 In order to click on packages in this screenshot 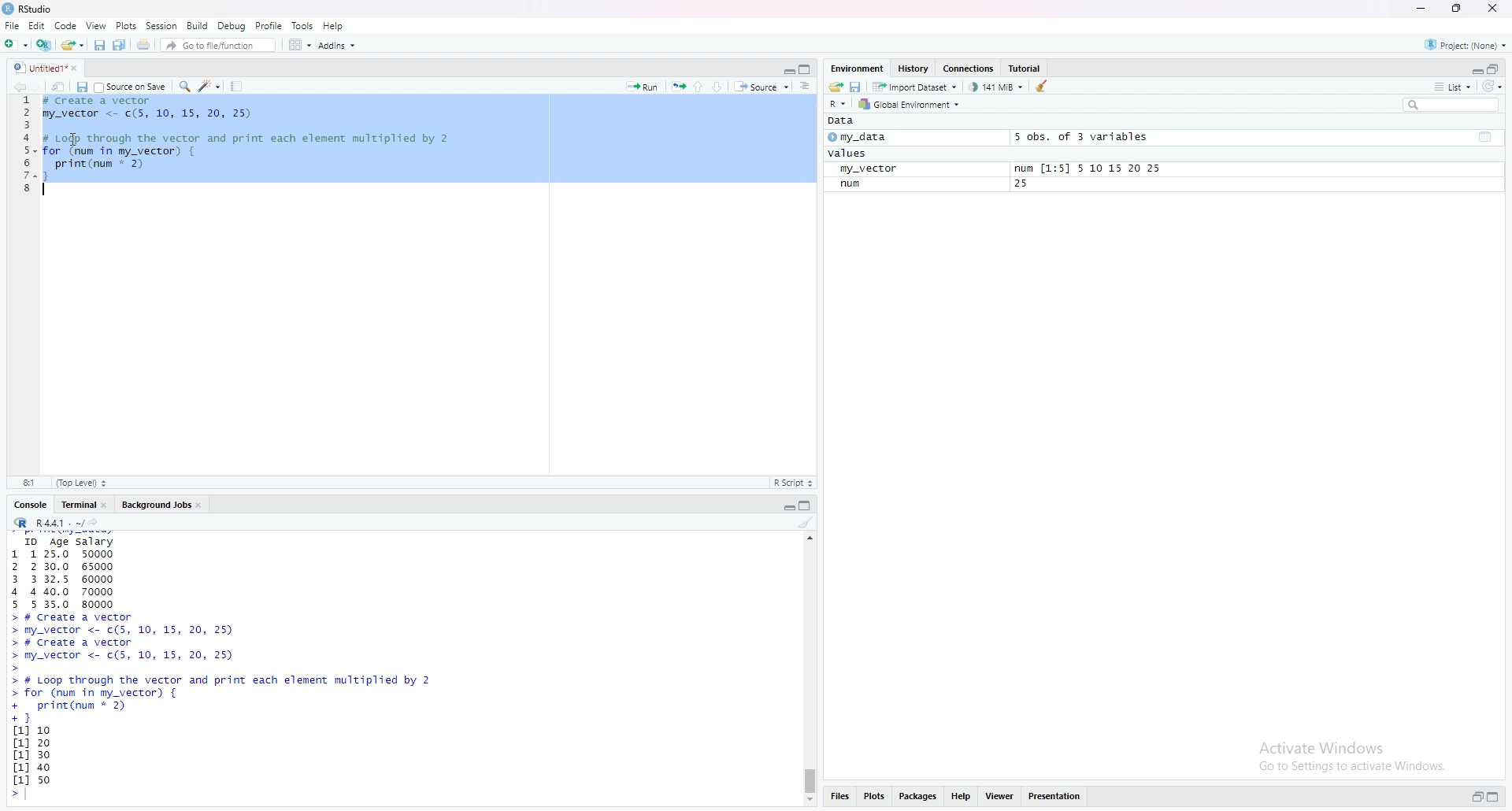, I will do `click(919, 796)`.